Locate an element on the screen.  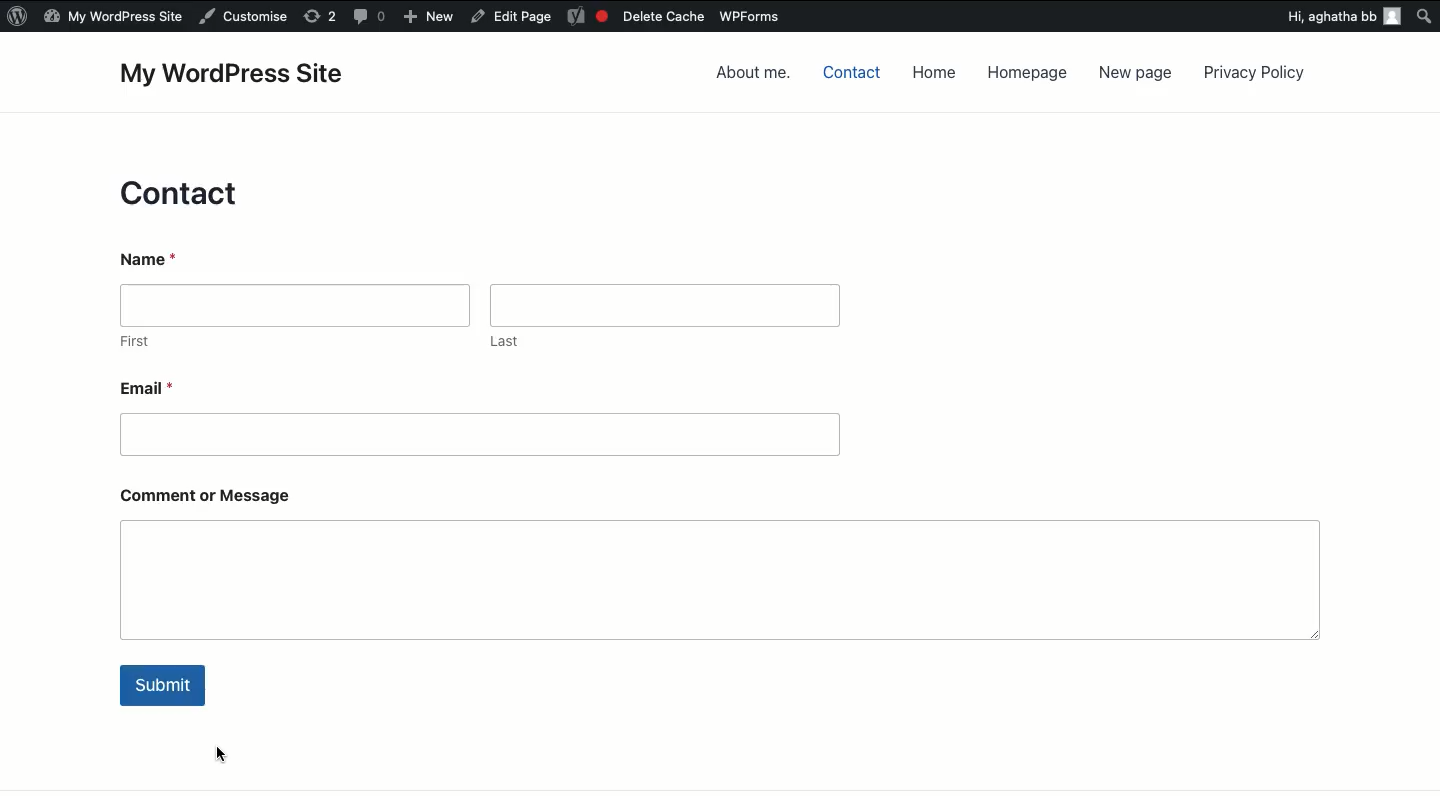
Email is located at coordinates (480, 416).